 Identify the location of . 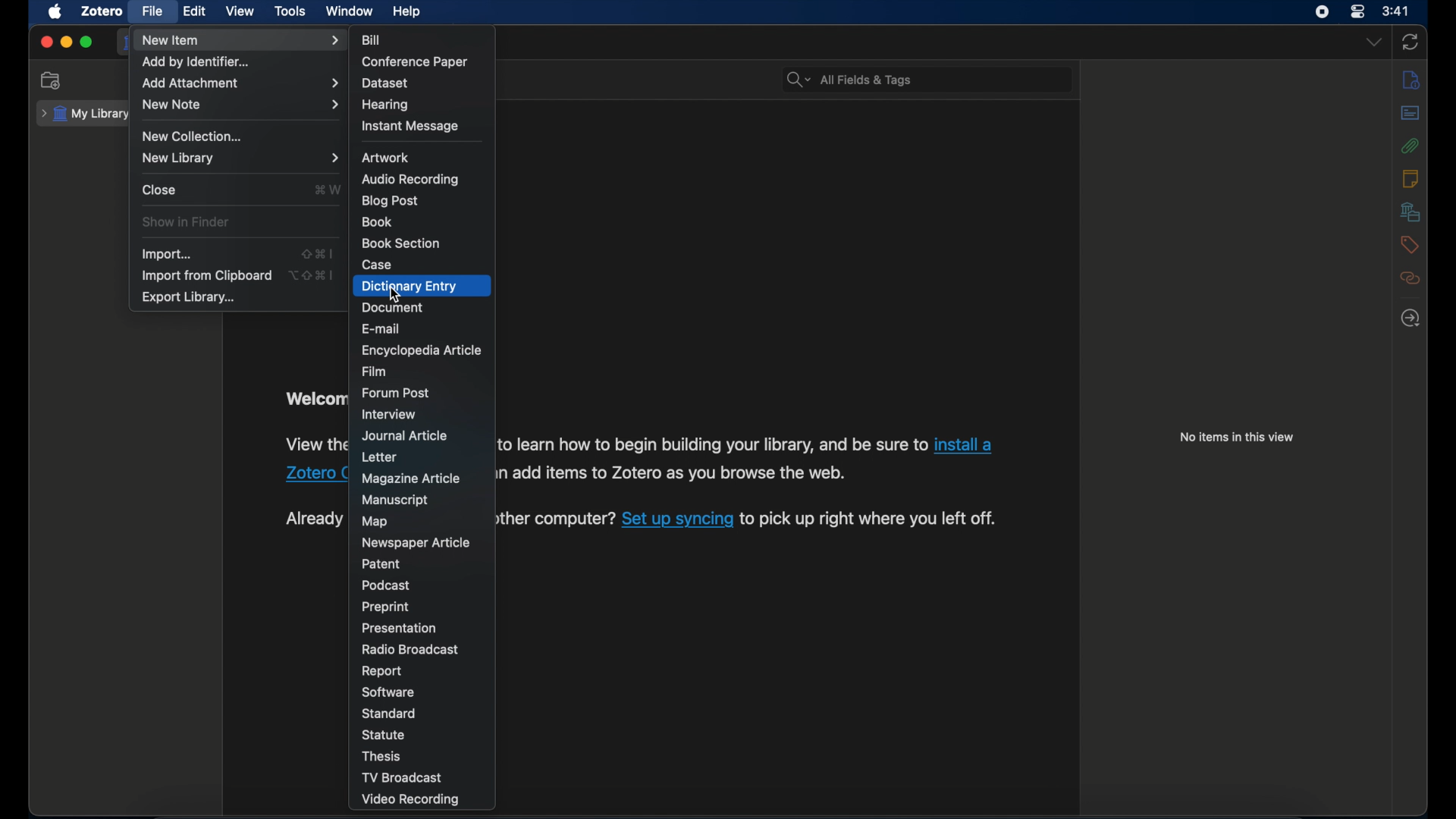
(311, 475).